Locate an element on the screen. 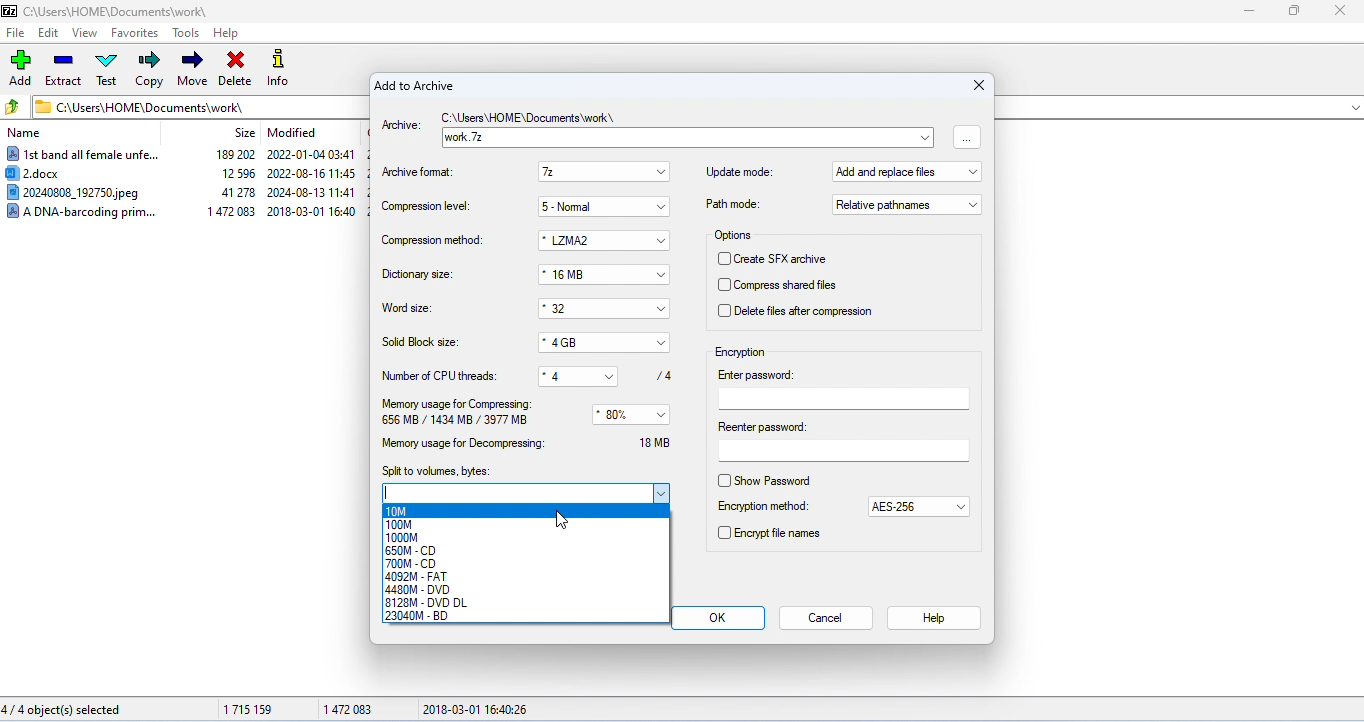 The width and height of the screenshot is (1364, 722). options is located at coordinates (736, 236).